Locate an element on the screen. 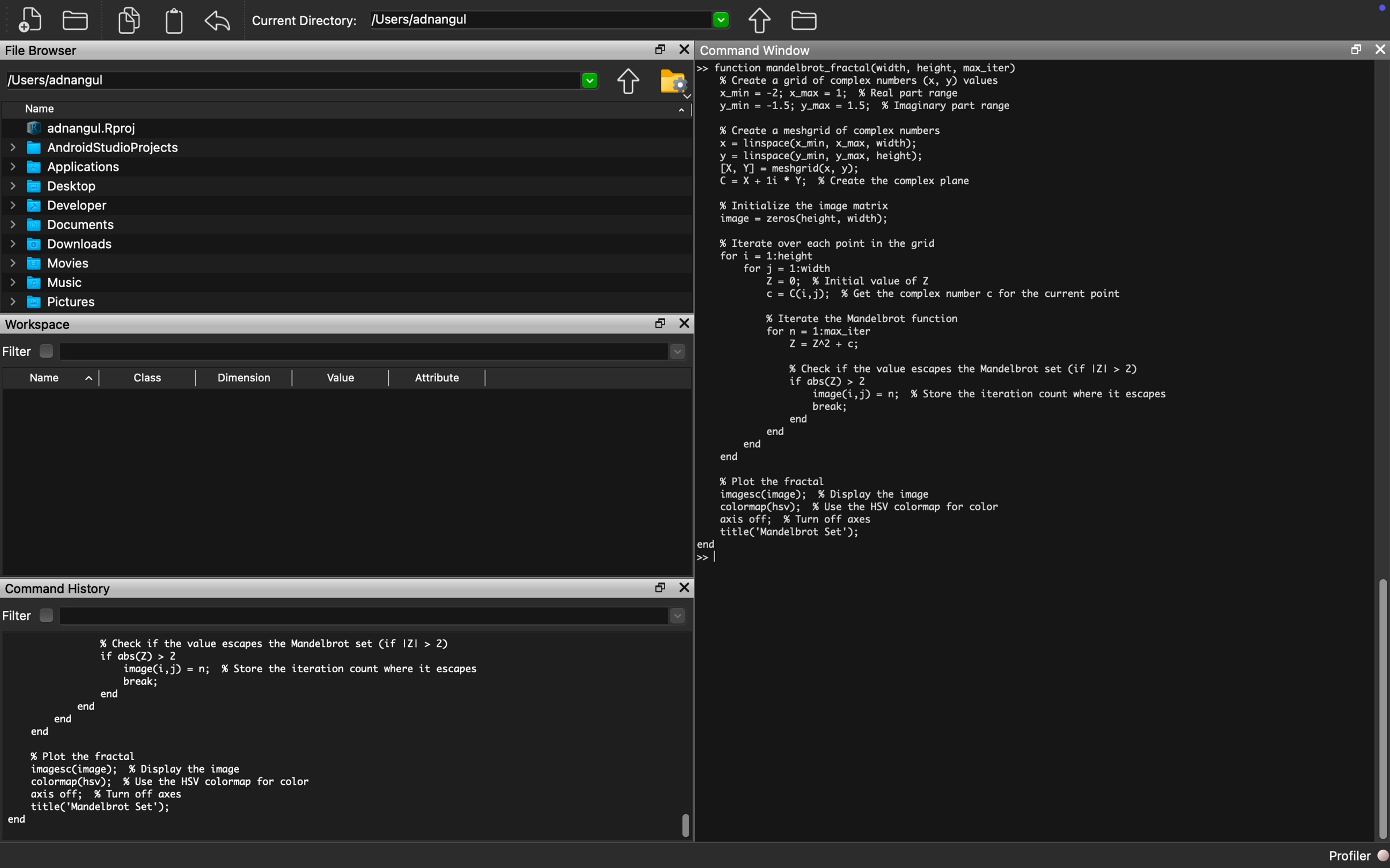 The image size is (1390, 868). Attribute is located at coordinates (438, 377).